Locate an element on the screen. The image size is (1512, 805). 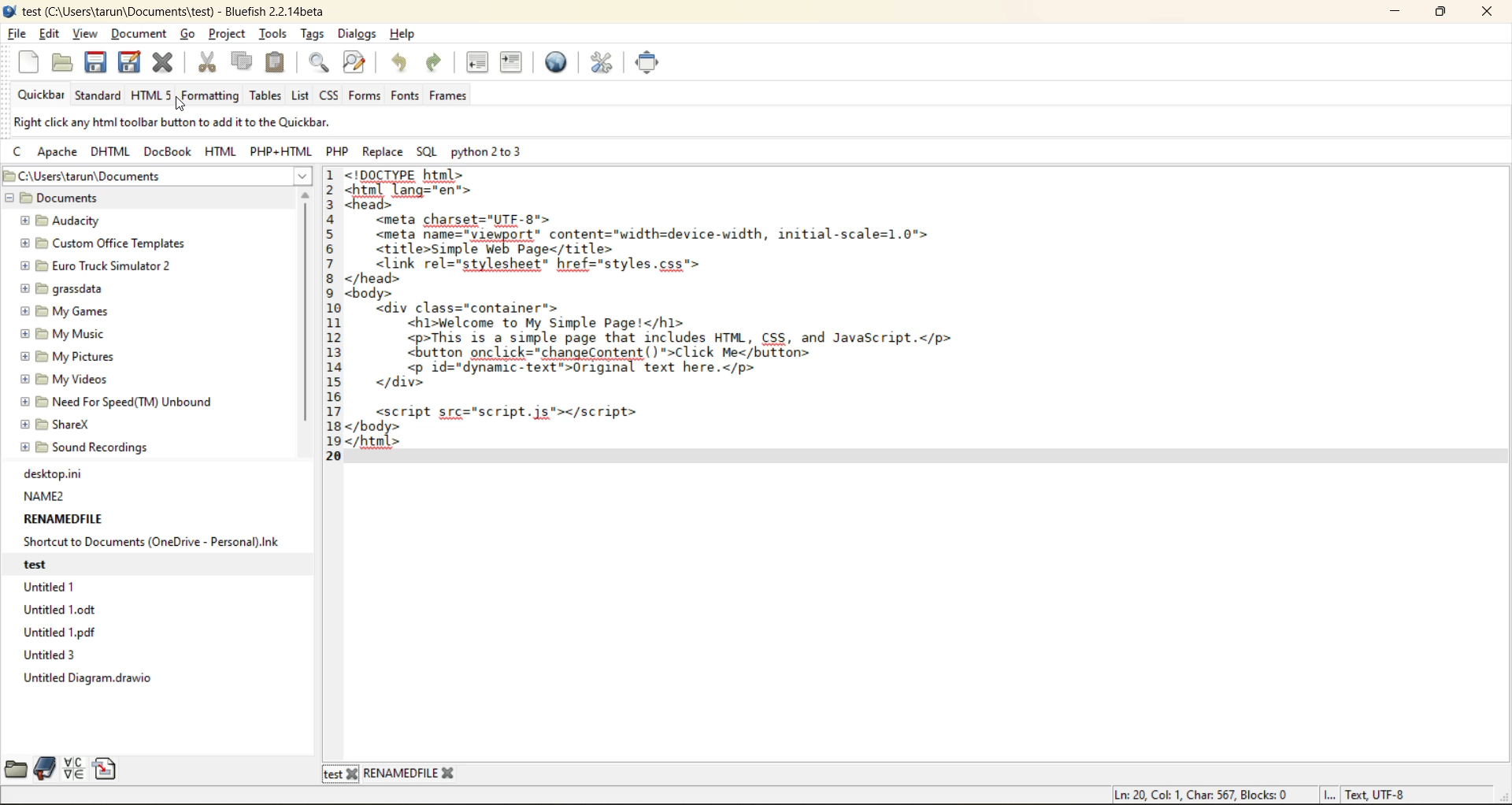
find is located at coordinates (321, 61).